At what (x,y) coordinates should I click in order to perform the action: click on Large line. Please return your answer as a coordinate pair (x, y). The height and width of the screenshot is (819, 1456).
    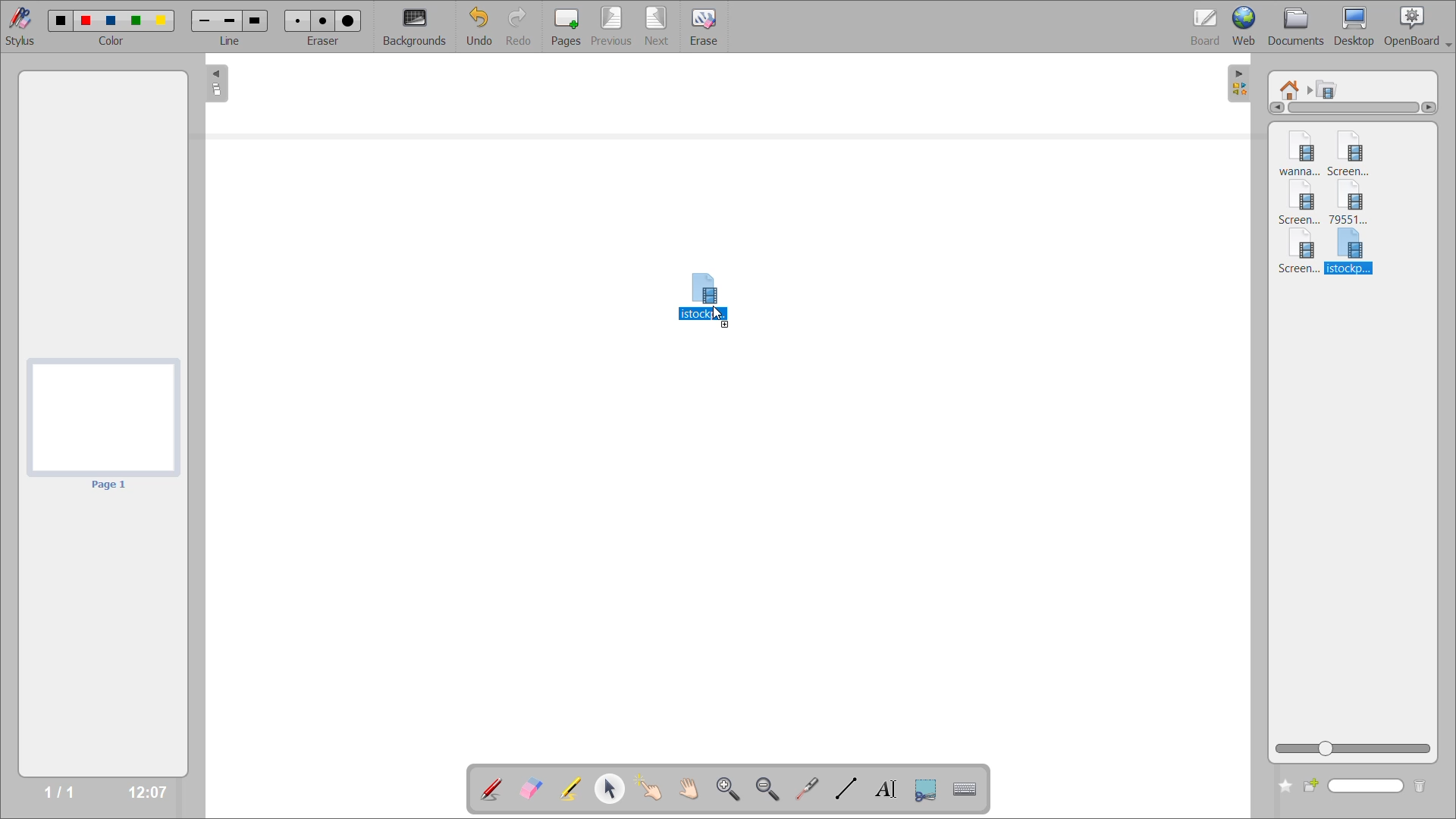
    Looking at the image, I should click on (258, 20).